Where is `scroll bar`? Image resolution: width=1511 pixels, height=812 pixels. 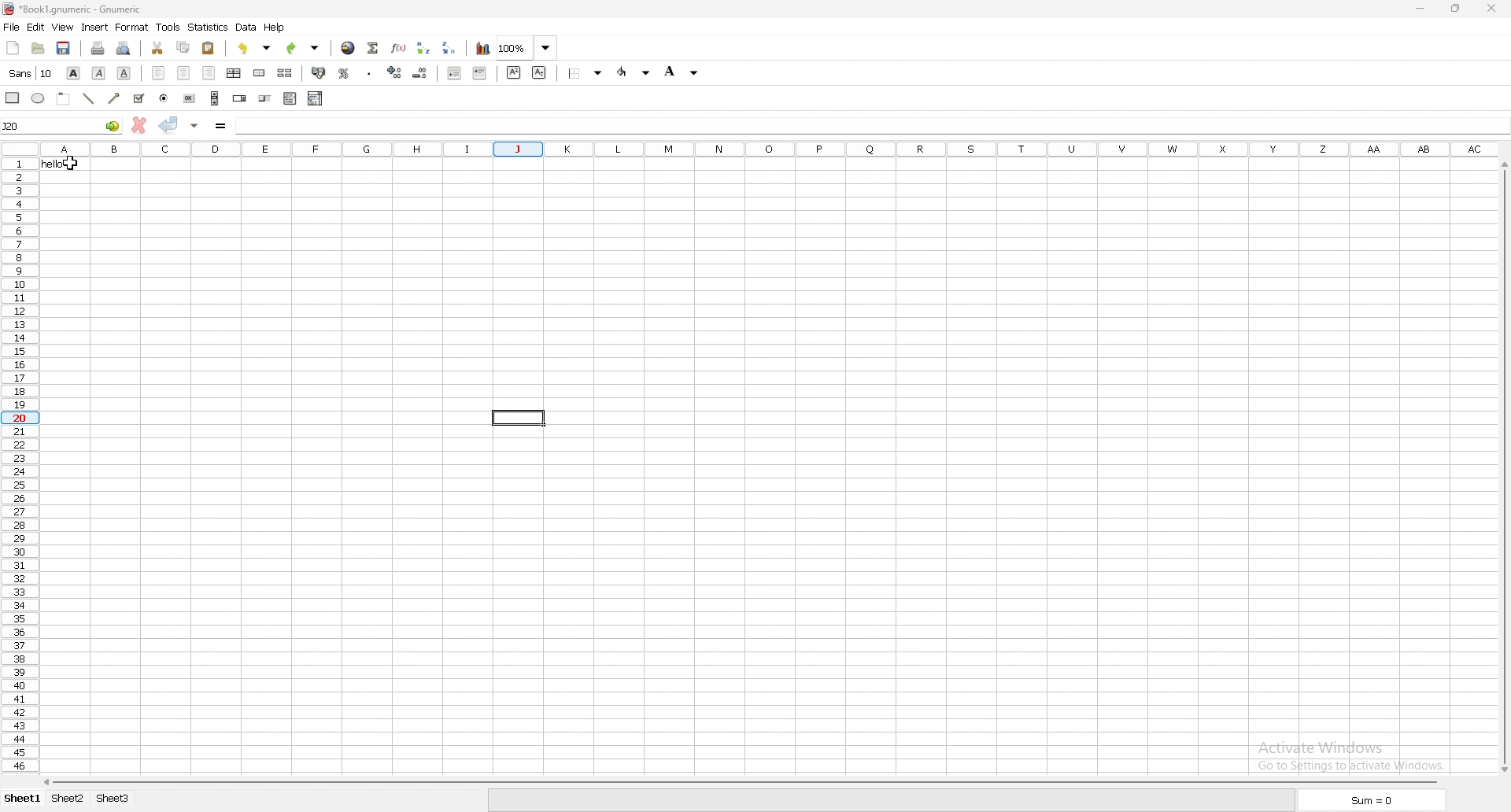
scroll bar is located at coordinates (742, 781).